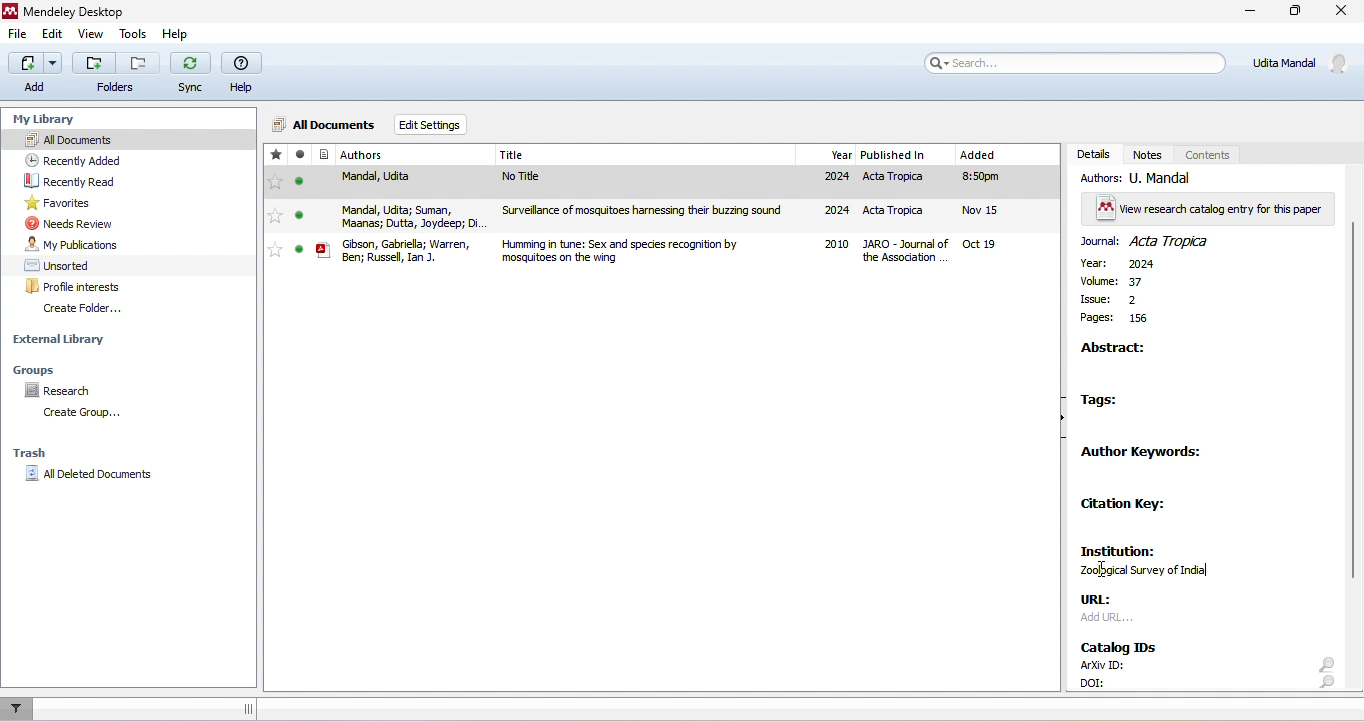  Describe the element at coordinates (127, 140) in the screenshot. I see `all documents` at that location.